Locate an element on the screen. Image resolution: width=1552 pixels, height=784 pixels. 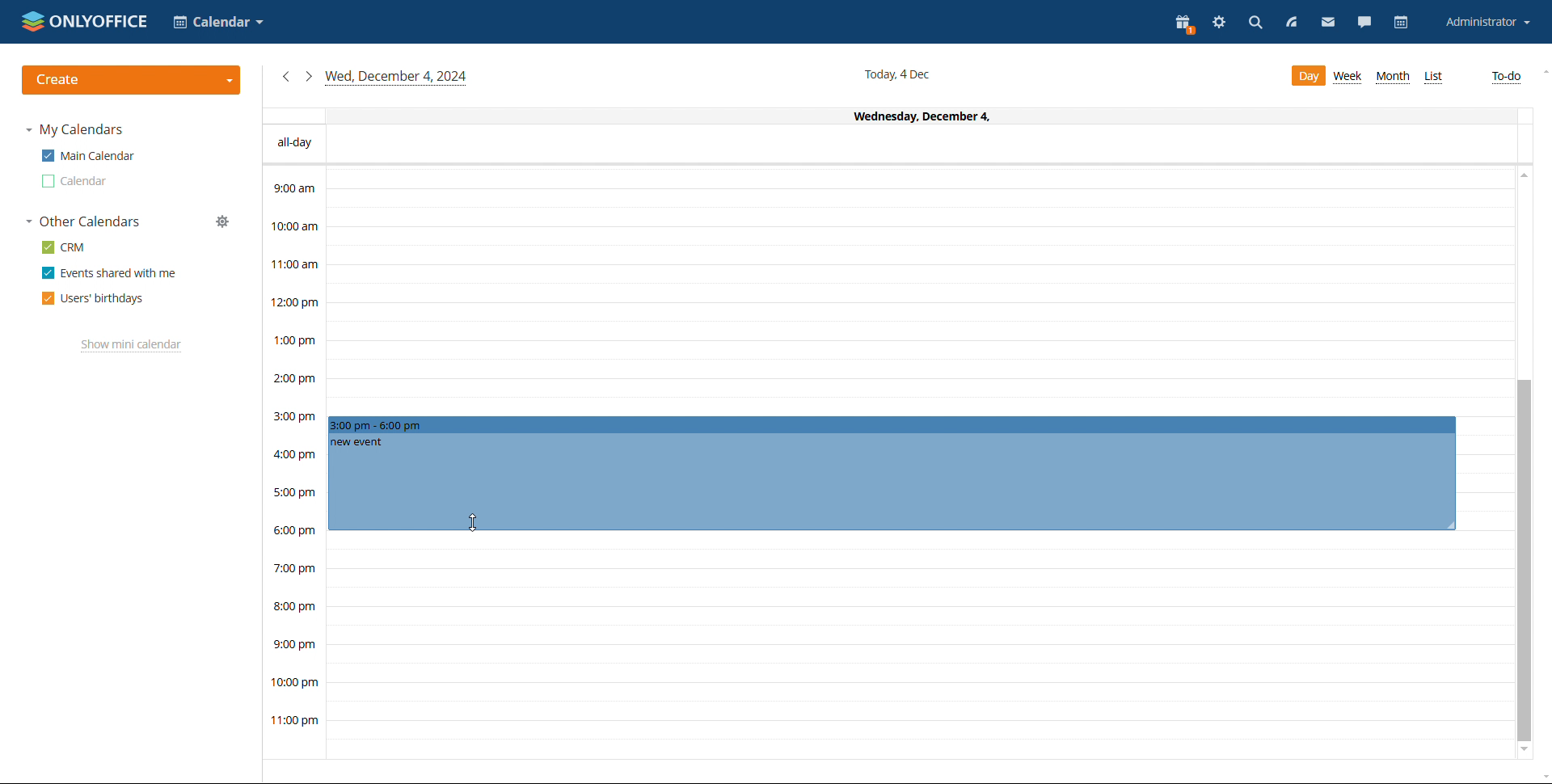
tomorrow is located at coordinates (308, 75).